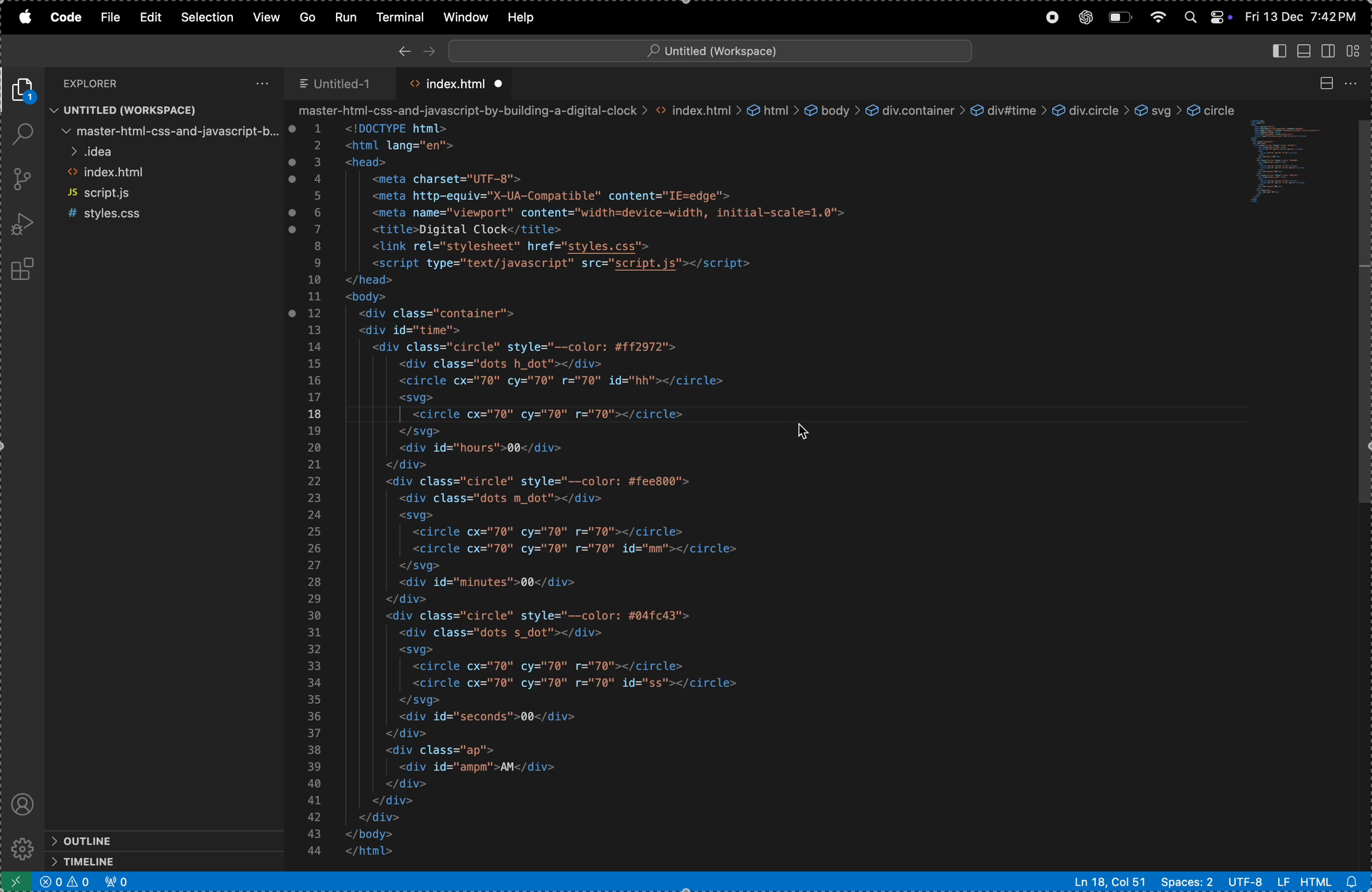 The width and height of the screenshot is (1372, 892). What do you see at coordinates (107, 82) in the screenshot?
I see `Explorer` at bounding box center [107, 82].